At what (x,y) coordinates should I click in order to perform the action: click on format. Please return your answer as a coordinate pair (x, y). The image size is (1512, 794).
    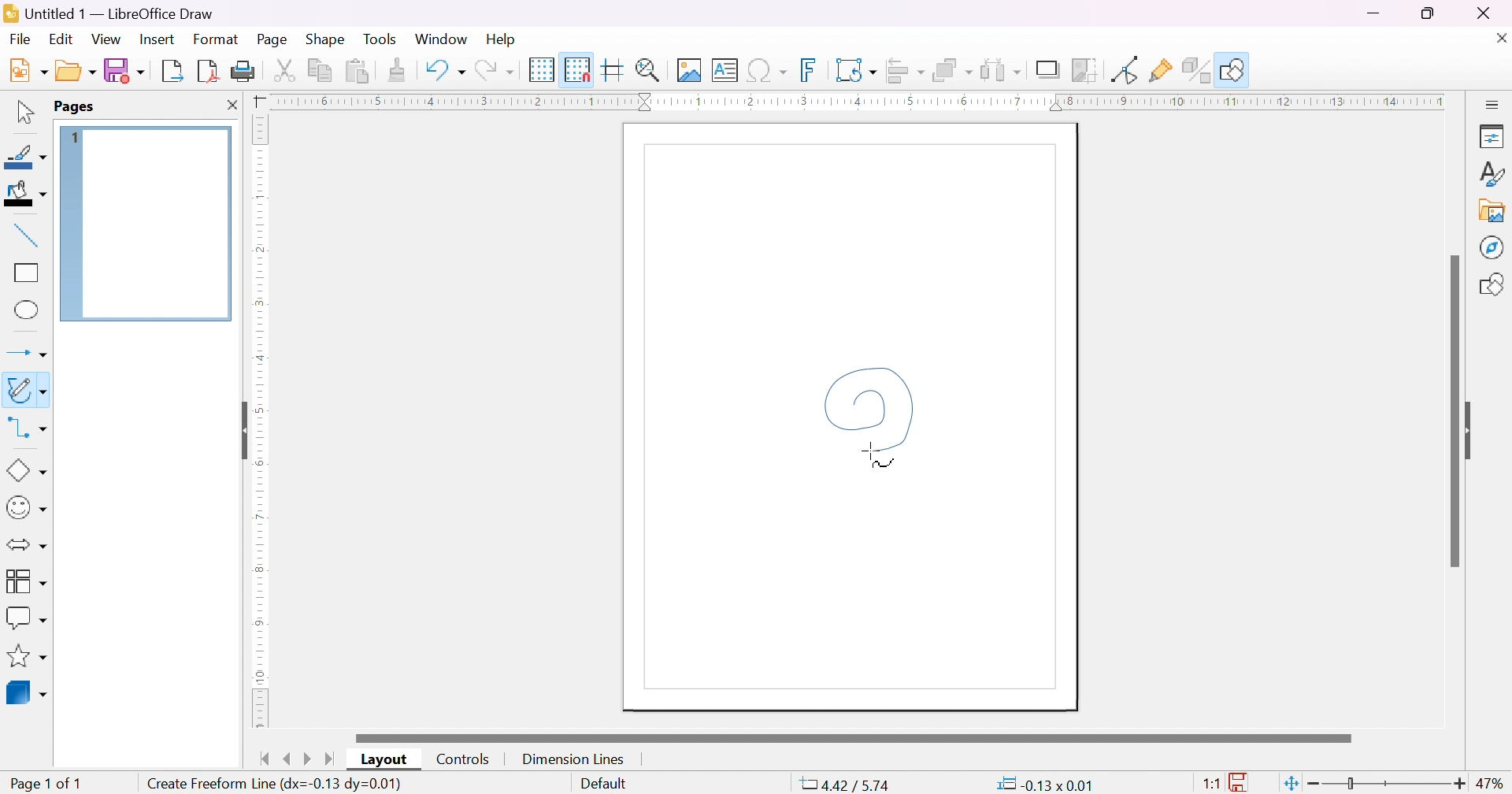
    Looking at the image, I should click on (217, 38).